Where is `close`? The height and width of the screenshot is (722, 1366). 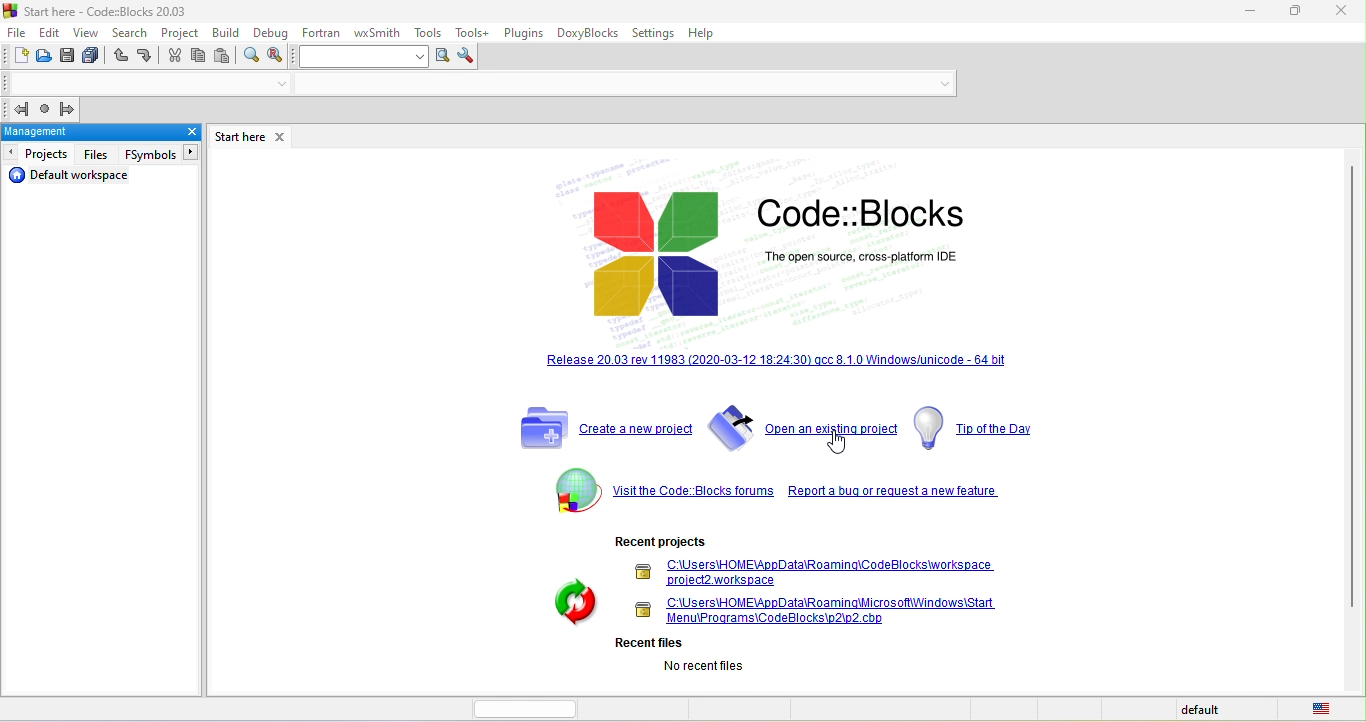 close is located at coordinates (279, 138).